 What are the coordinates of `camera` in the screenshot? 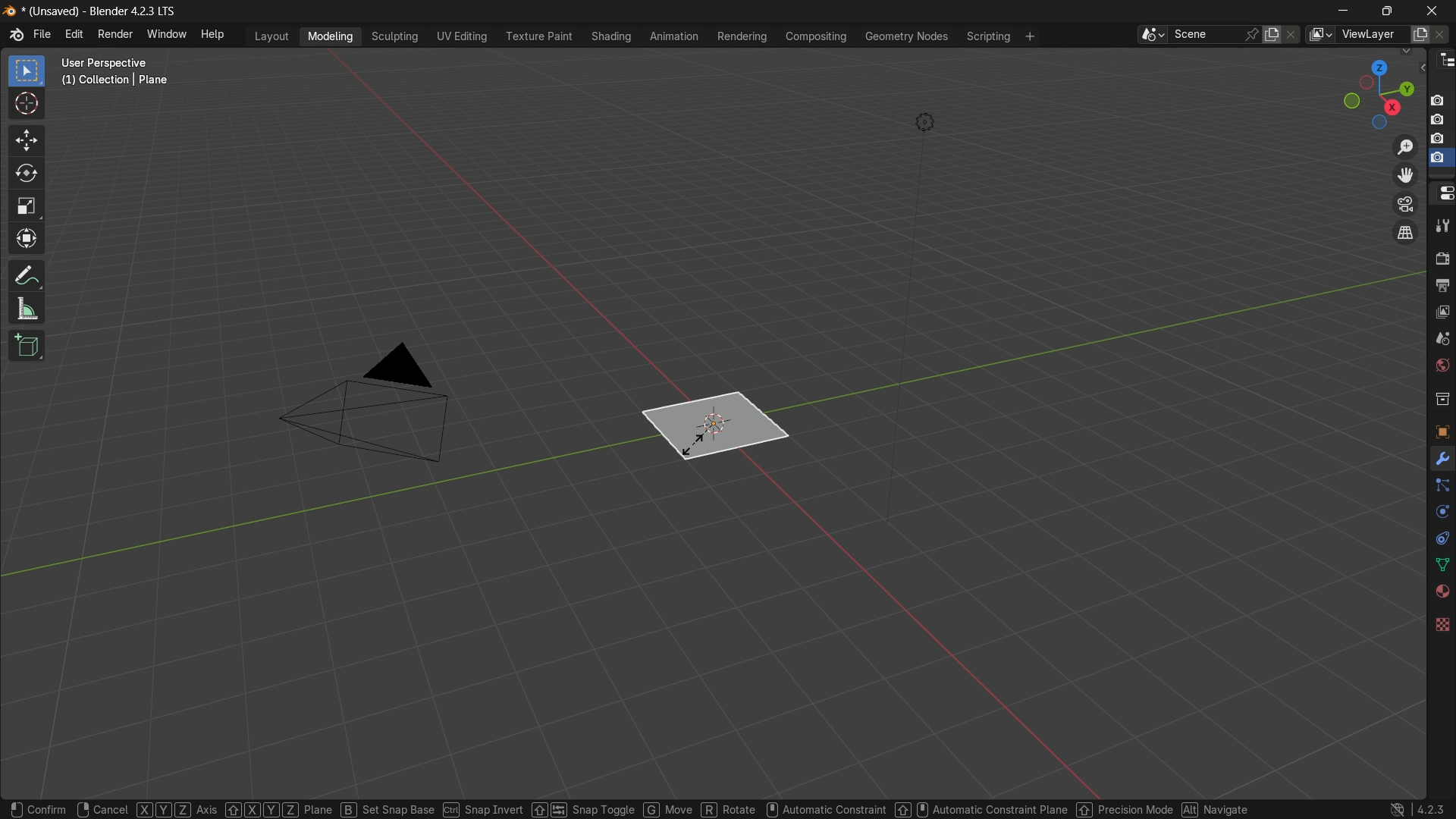 It's located at (368, 409).